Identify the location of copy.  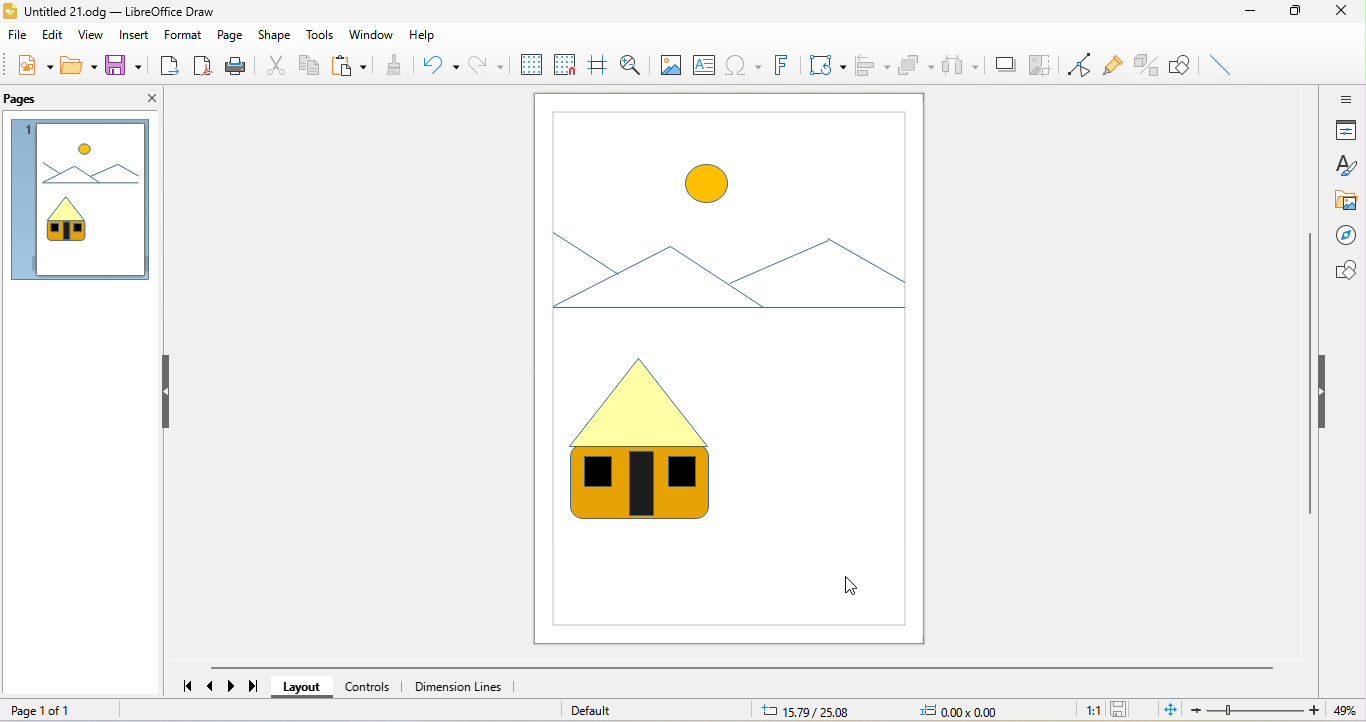
(311, 64).